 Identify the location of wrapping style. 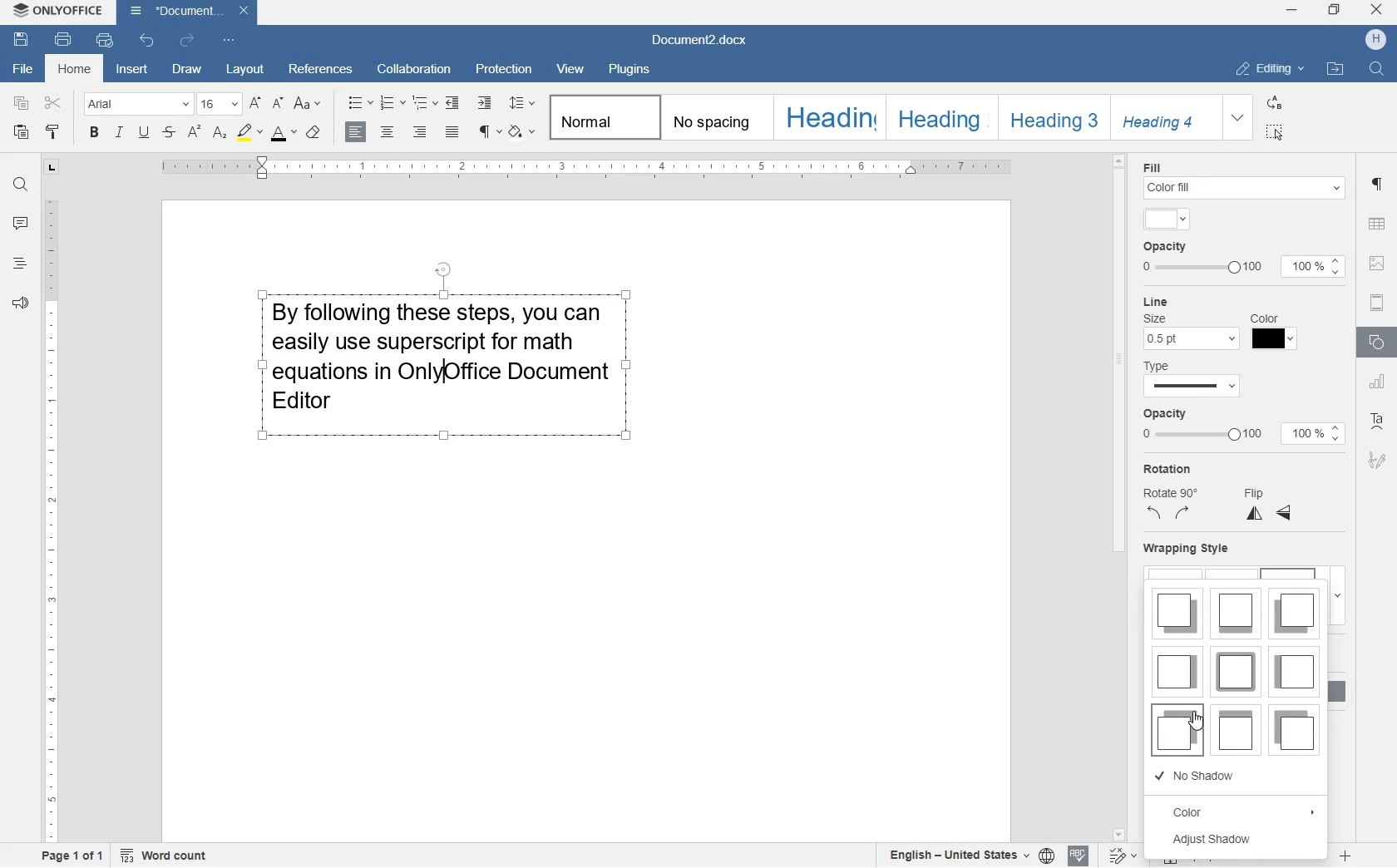
(1187, 549).